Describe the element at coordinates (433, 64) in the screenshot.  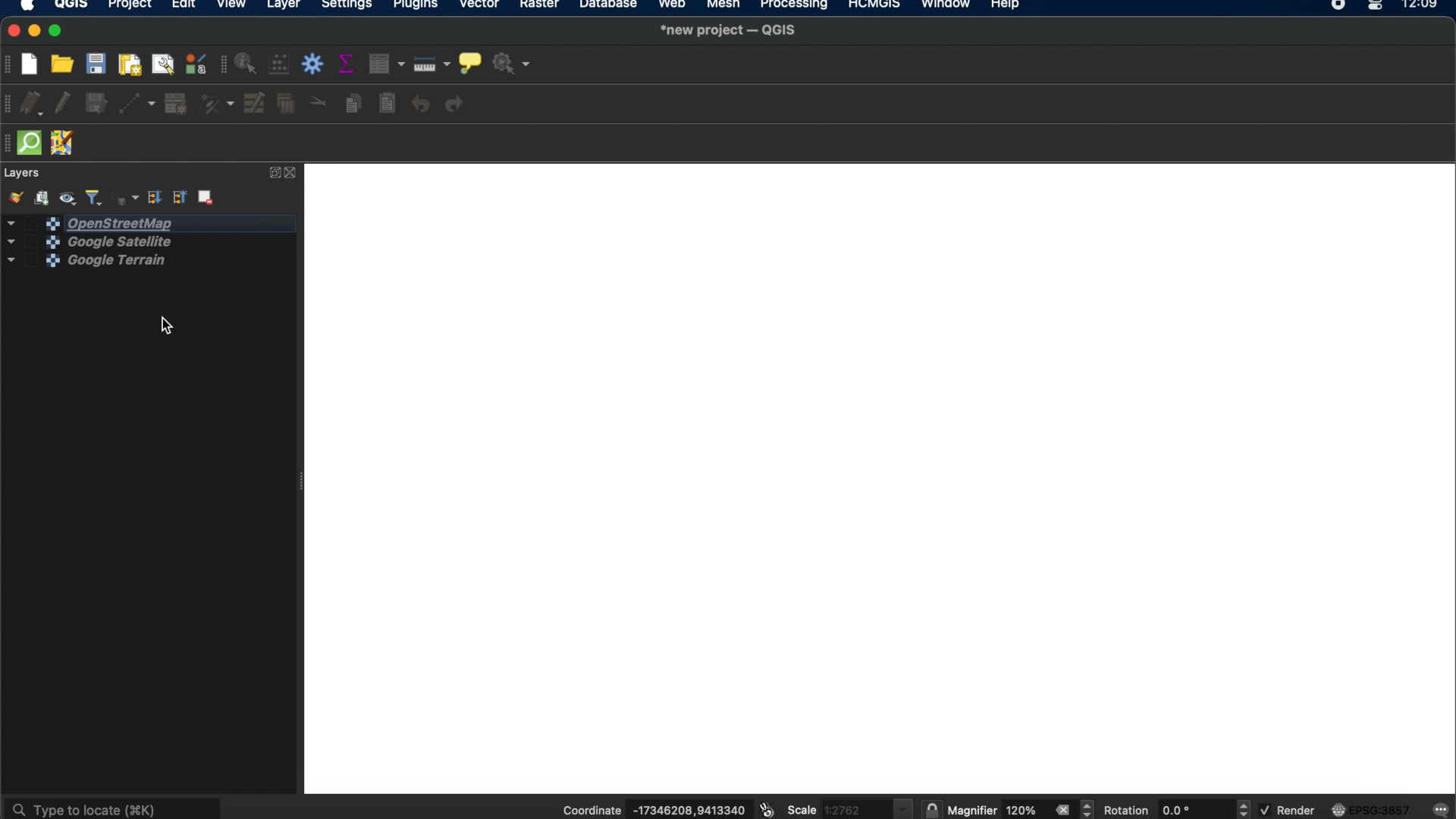
I see `measure line` at that location.